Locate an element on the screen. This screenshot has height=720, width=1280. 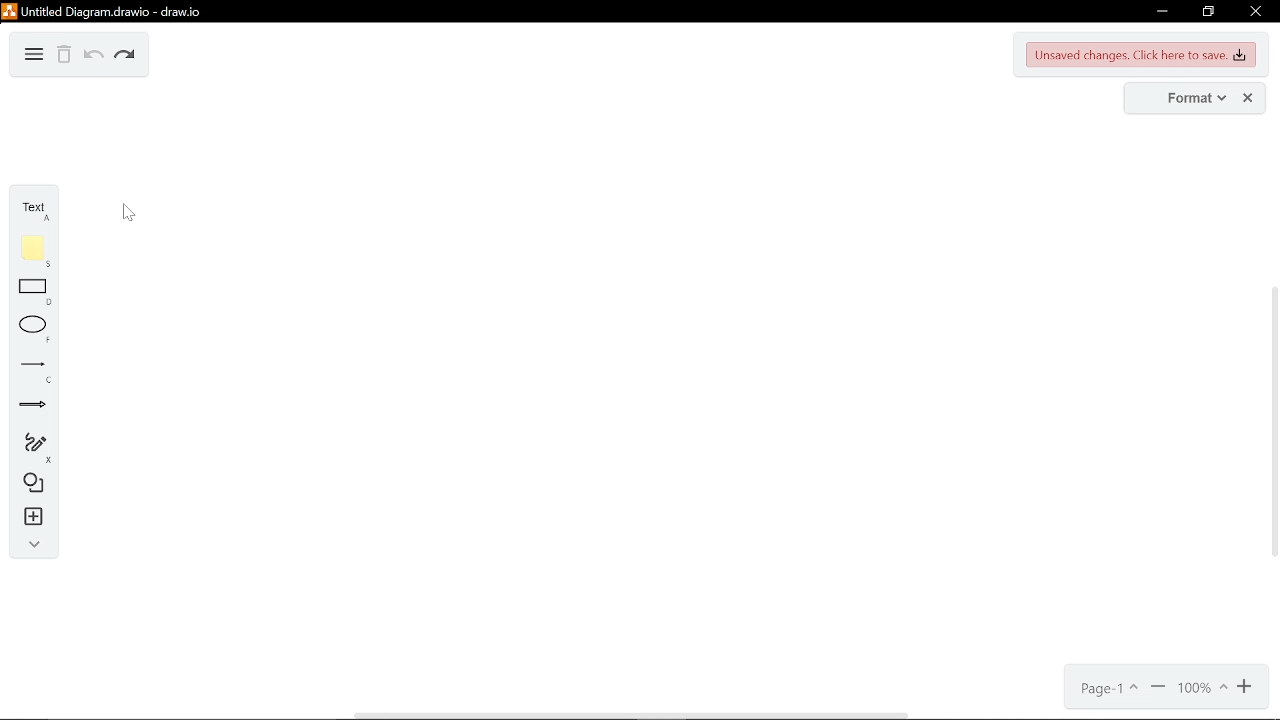
delete is located at coordinates (64, 55).